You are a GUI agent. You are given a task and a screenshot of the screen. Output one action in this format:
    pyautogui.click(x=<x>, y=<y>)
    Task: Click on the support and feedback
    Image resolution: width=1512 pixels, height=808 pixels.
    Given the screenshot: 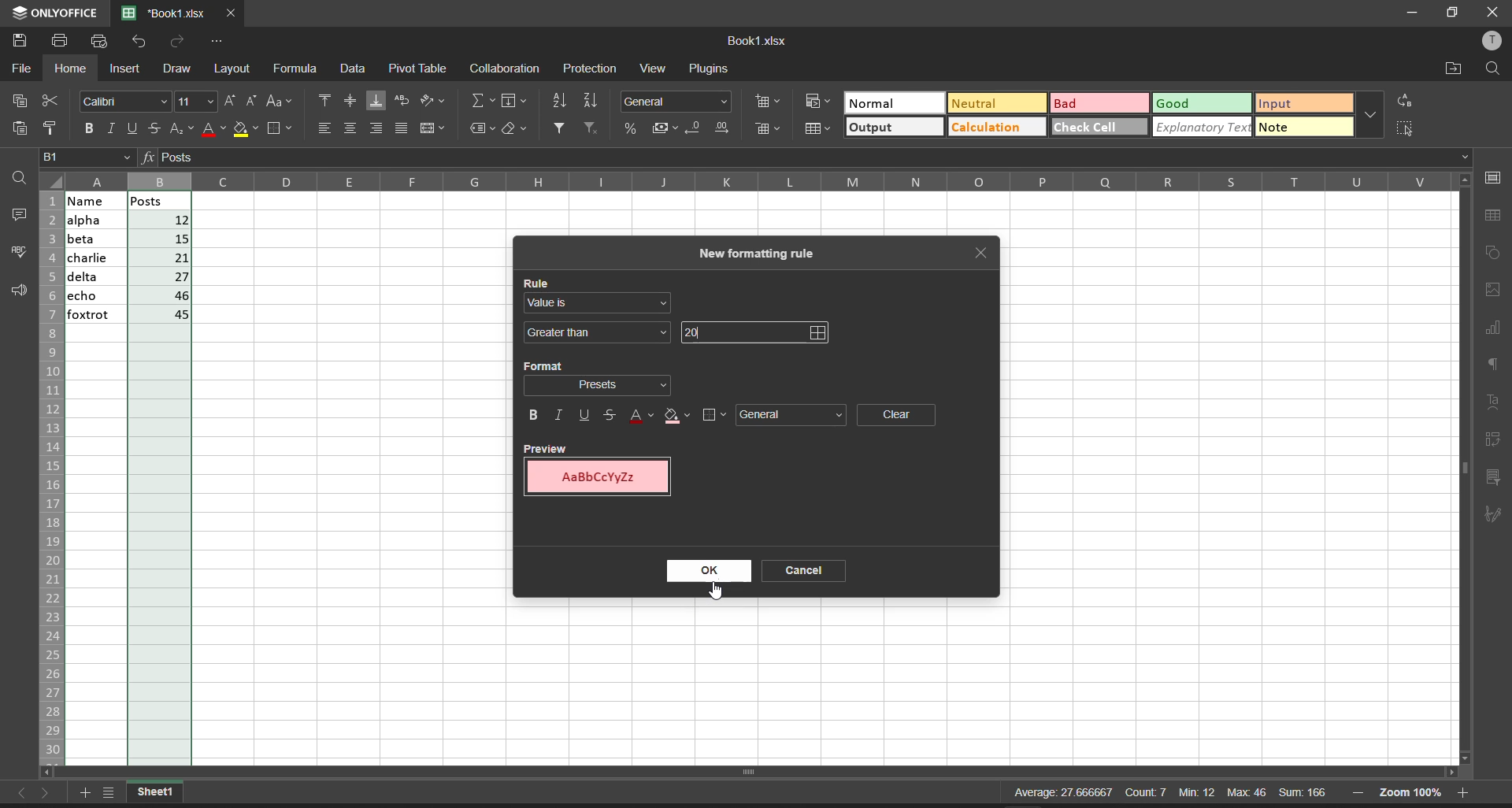 What is the action you would take?
    pyautogui.click(x=20, y=291)
    